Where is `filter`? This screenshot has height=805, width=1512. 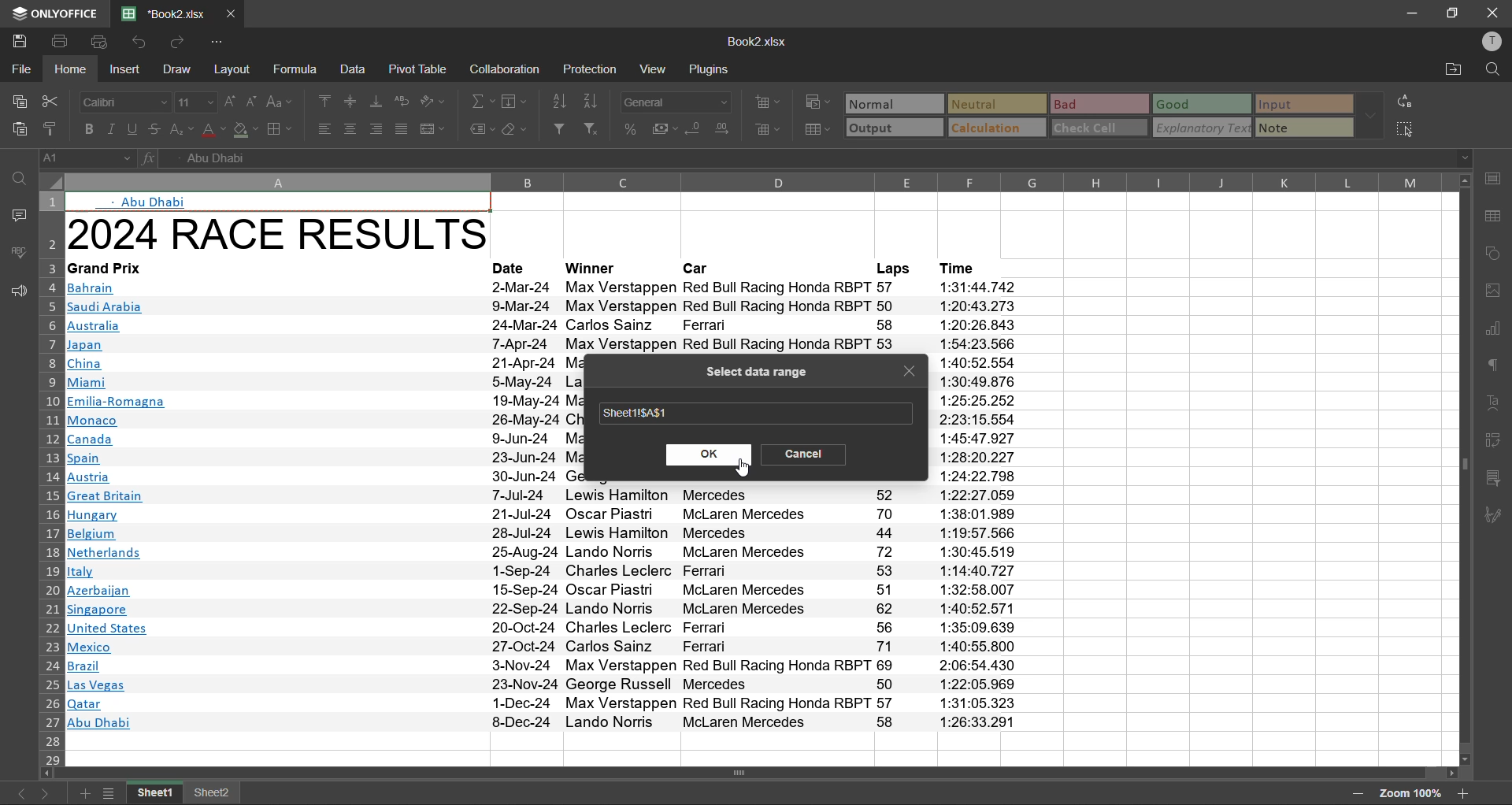
filter is located at coordinates (559, 127).